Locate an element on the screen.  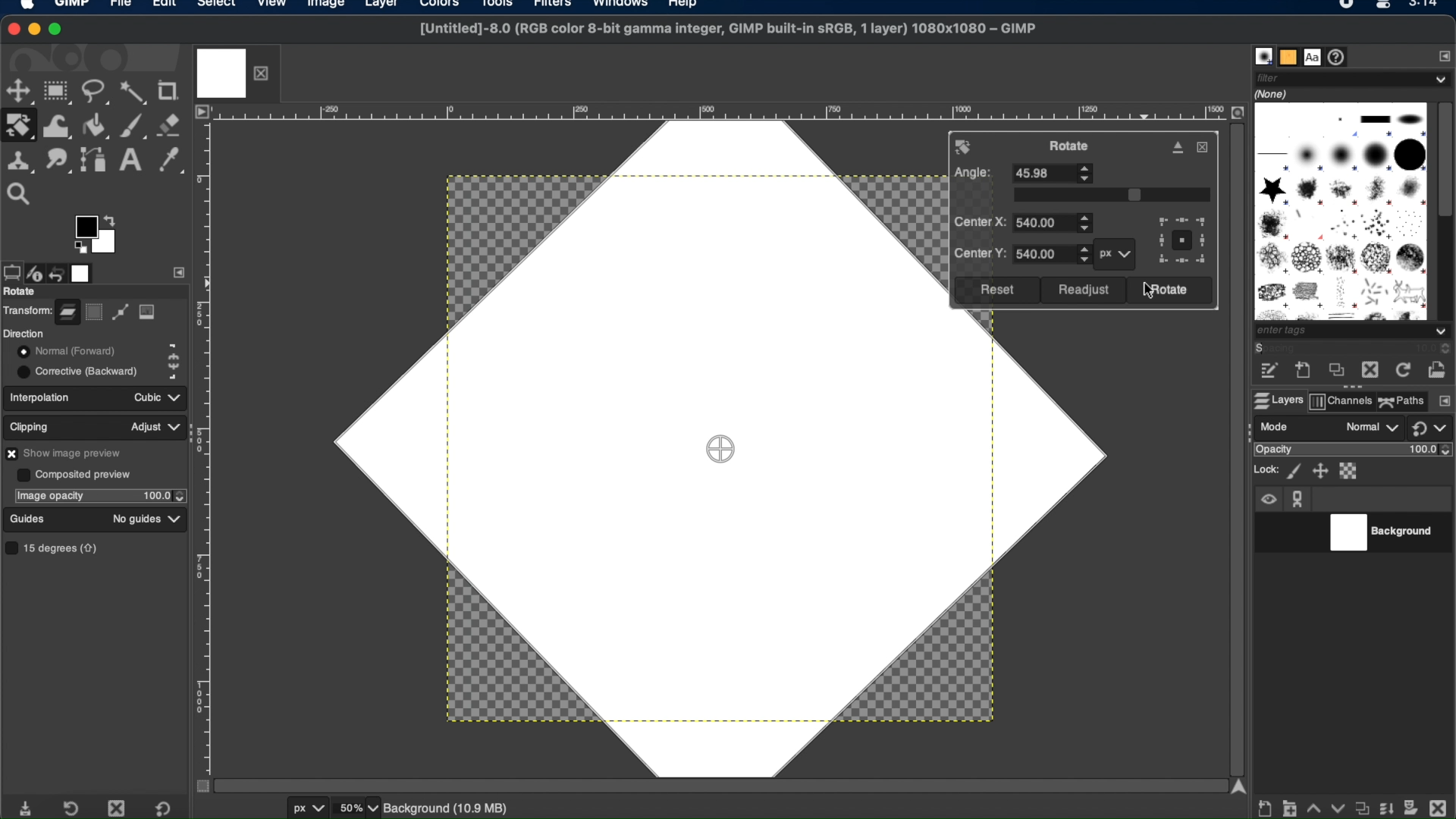
guides is located at coordinates (28, 519).